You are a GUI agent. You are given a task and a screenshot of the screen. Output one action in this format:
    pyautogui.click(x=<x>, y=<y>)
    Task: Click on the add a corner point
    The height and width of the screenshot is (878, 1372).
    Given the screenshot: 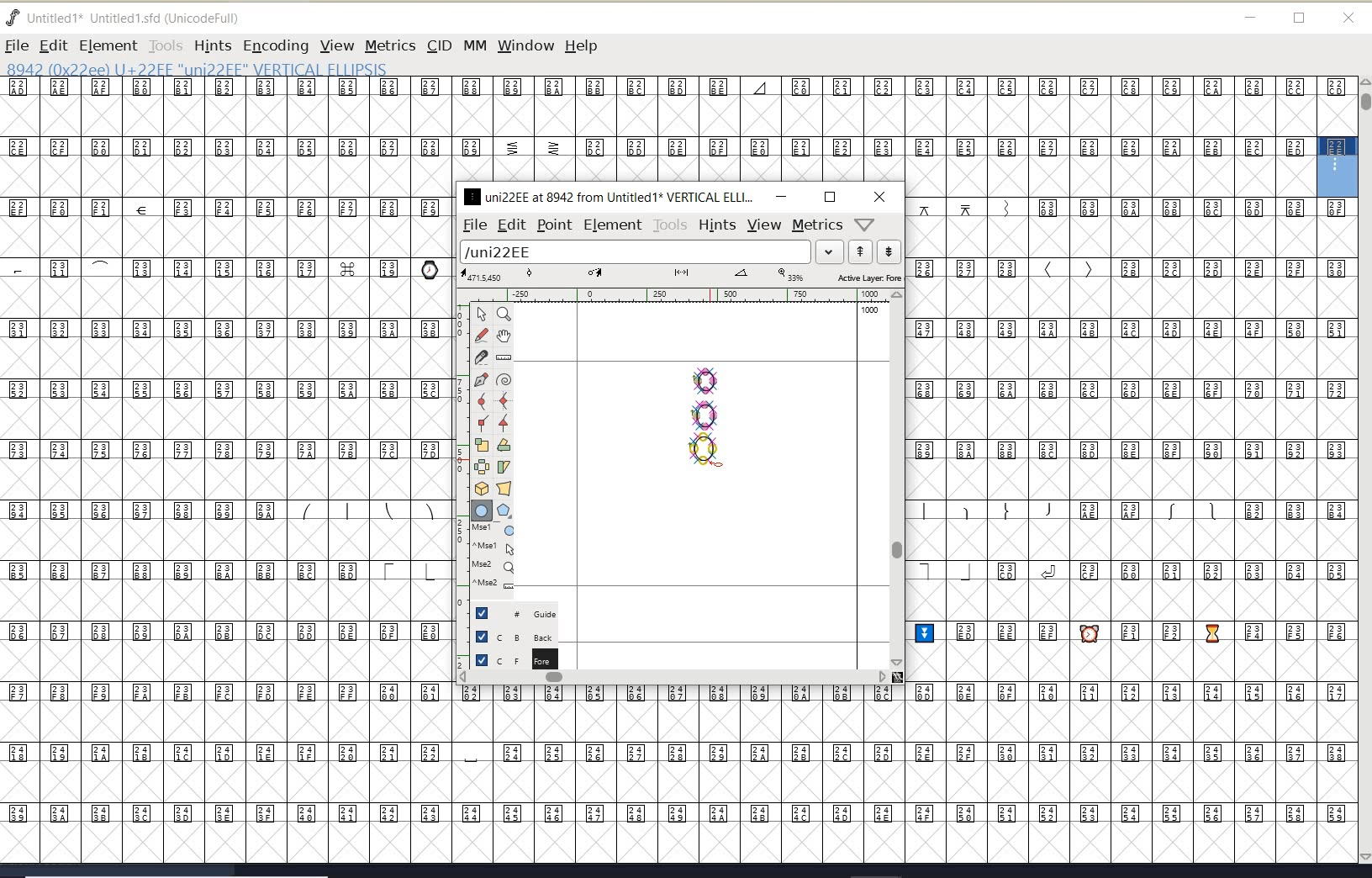 What is the action you would take?
    pyautogui.click(x=483, y=422)
    